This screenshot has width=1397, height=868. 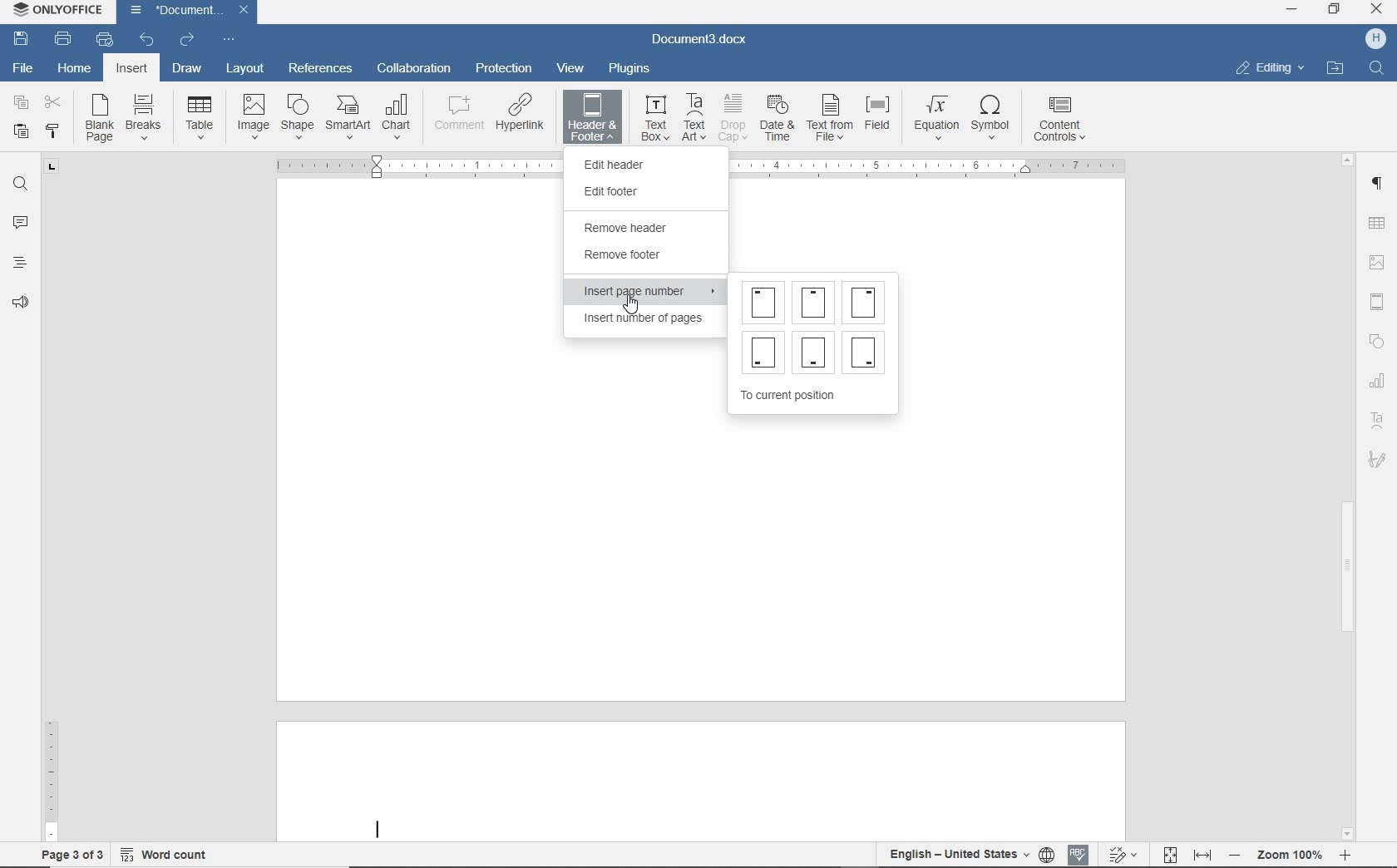 I want to click on EQUATION, so click(x=937, y=118).